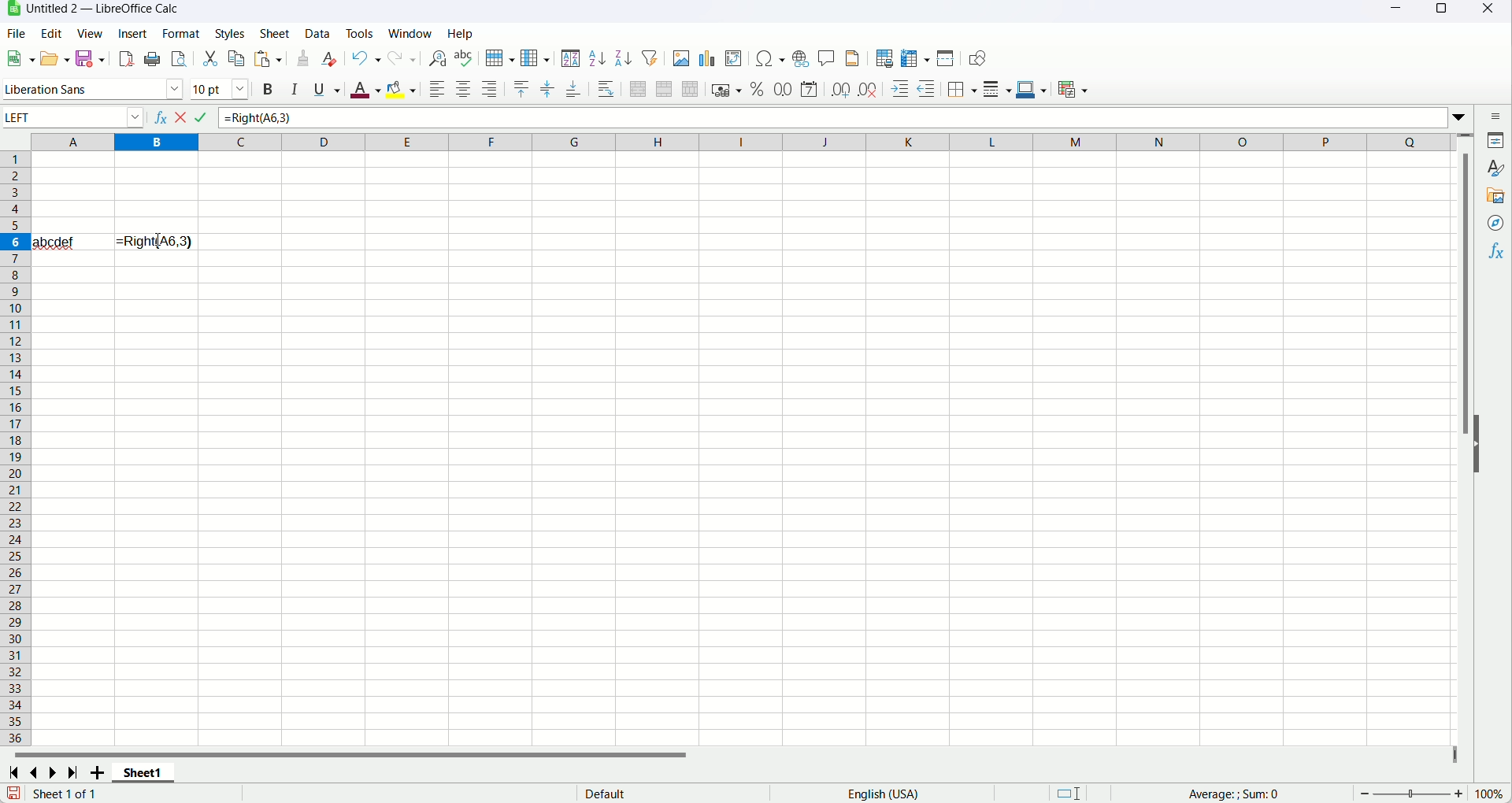  Describe the element at coordinates (976, 58) in the screenshot. I see `draw function` at that location.